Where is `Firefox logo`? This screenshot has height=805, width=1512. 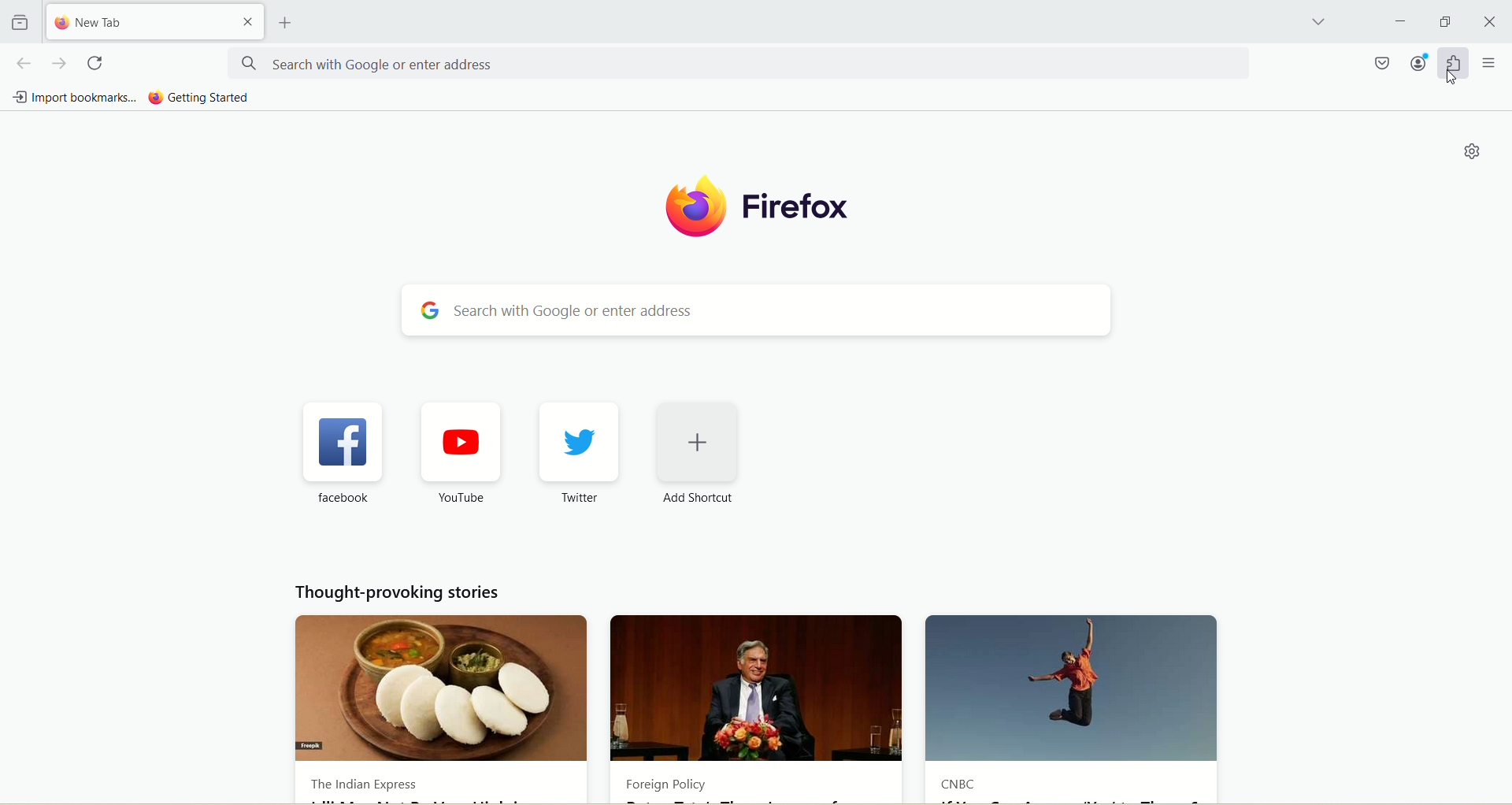
Firefox logo is located at coordinates (756, 207).